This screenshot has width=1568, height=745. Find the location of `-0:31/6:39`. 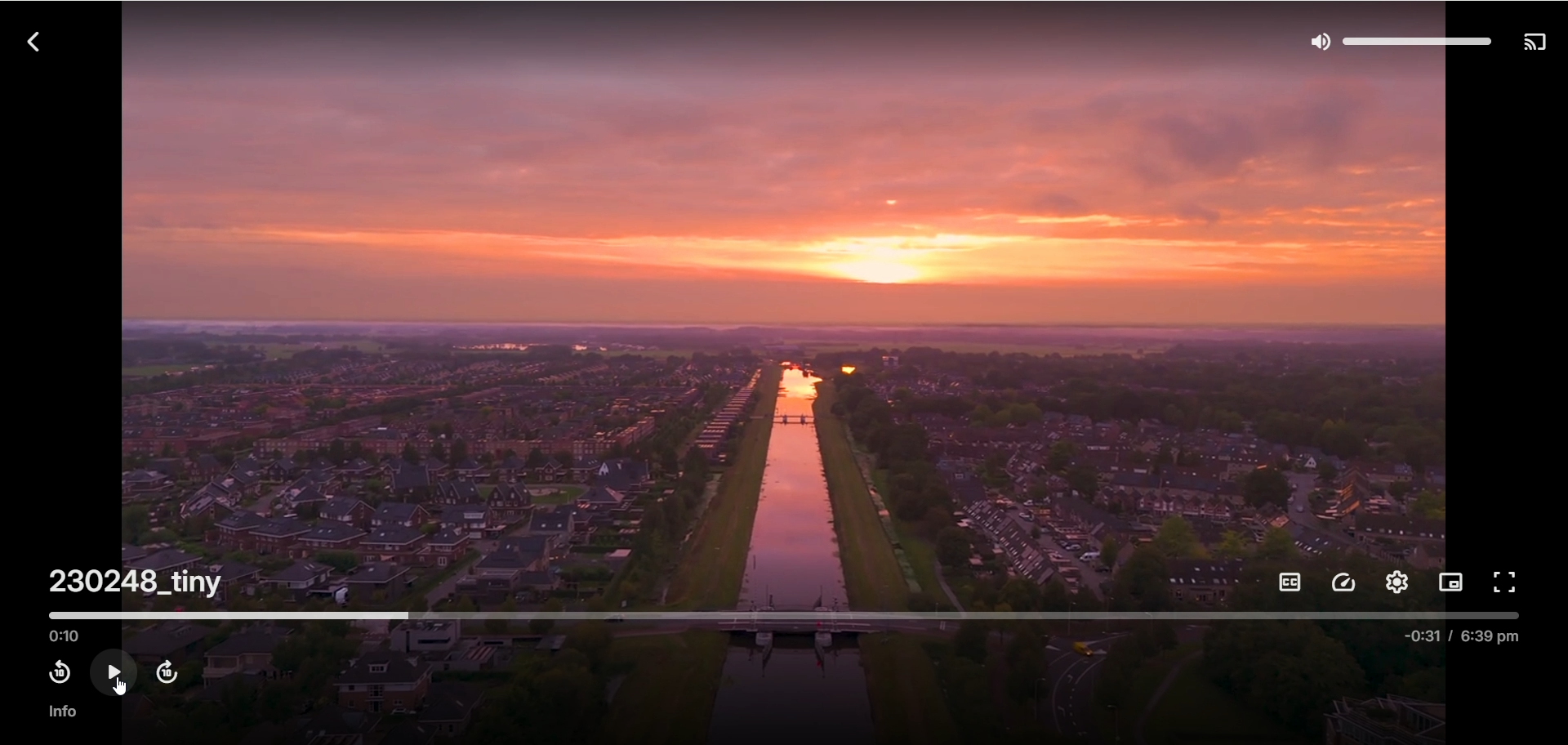

-0:31/6:39 is located at coordinates (1451, 641).